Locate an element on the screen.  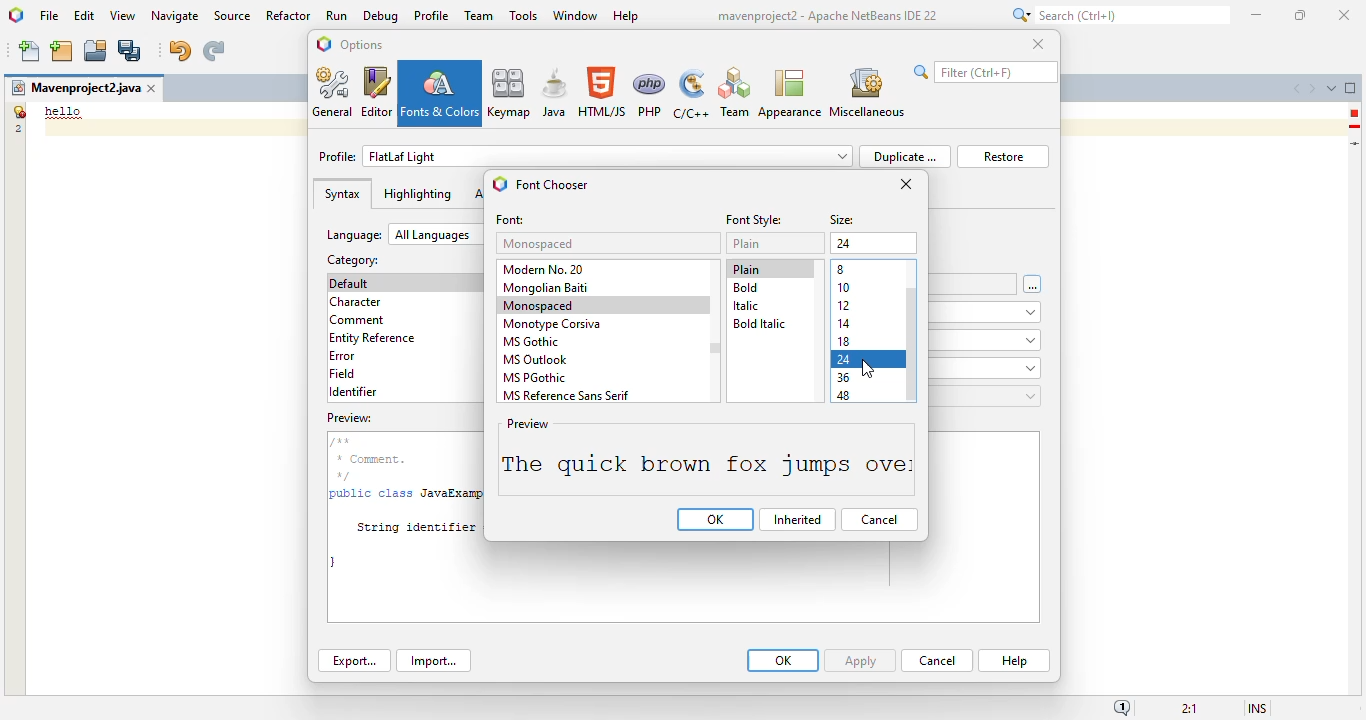
import is located at coordinates (433, 661).